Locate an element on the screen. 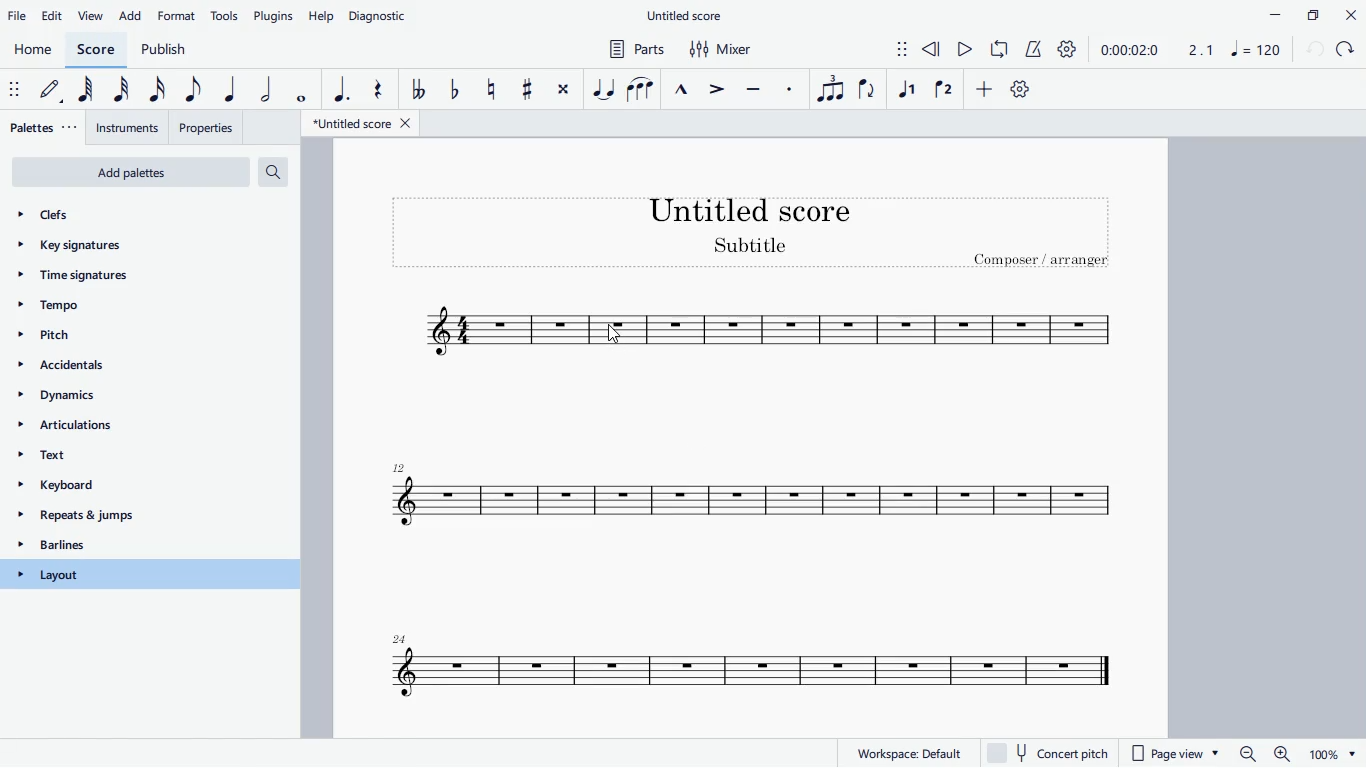 This screenshot has height=768, width=1366. instruments is located at coordinates (130, 128).